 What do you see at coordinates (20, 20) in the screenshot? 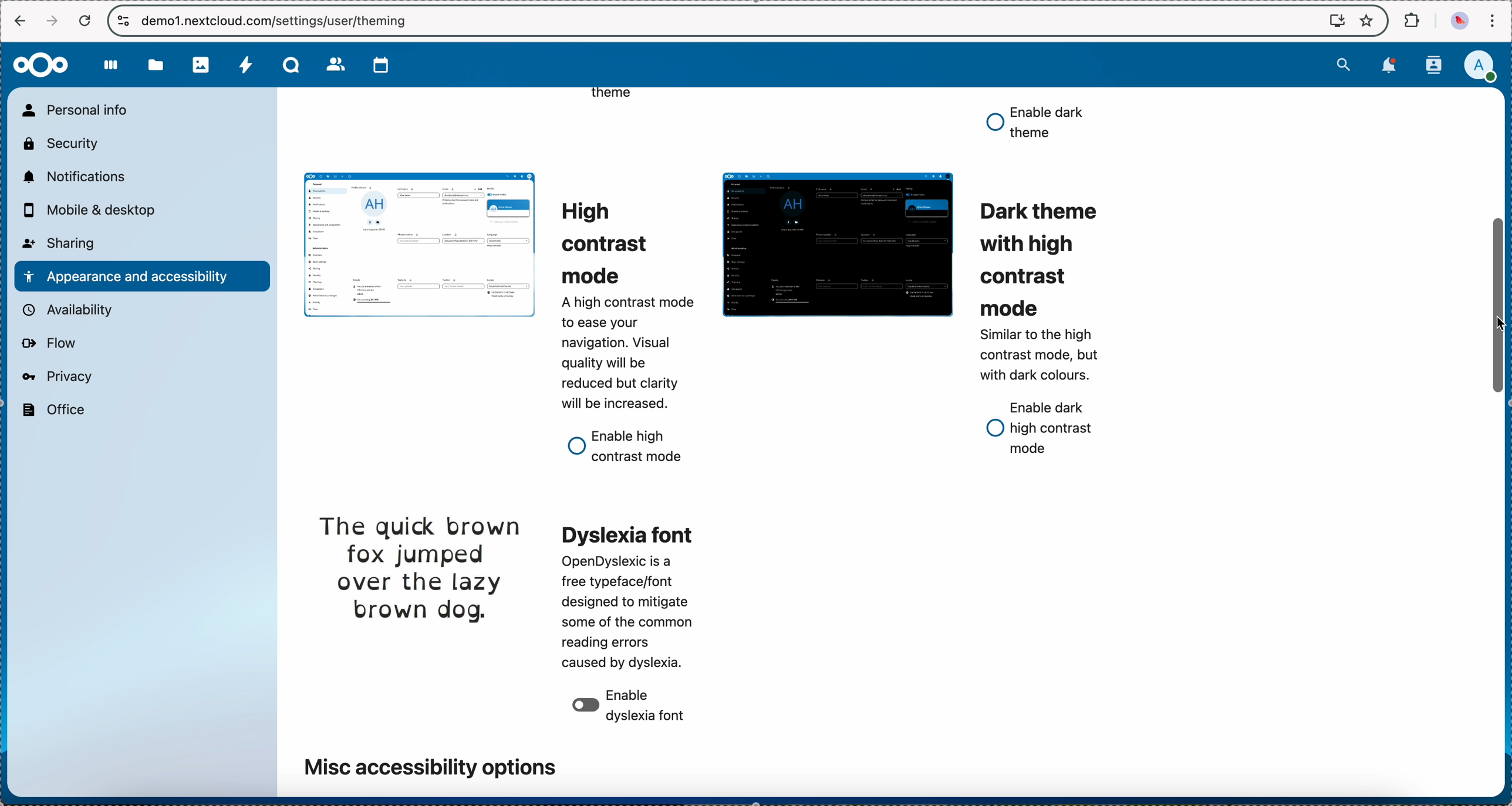
I see `navigate back` at bounding box center [20, 20].